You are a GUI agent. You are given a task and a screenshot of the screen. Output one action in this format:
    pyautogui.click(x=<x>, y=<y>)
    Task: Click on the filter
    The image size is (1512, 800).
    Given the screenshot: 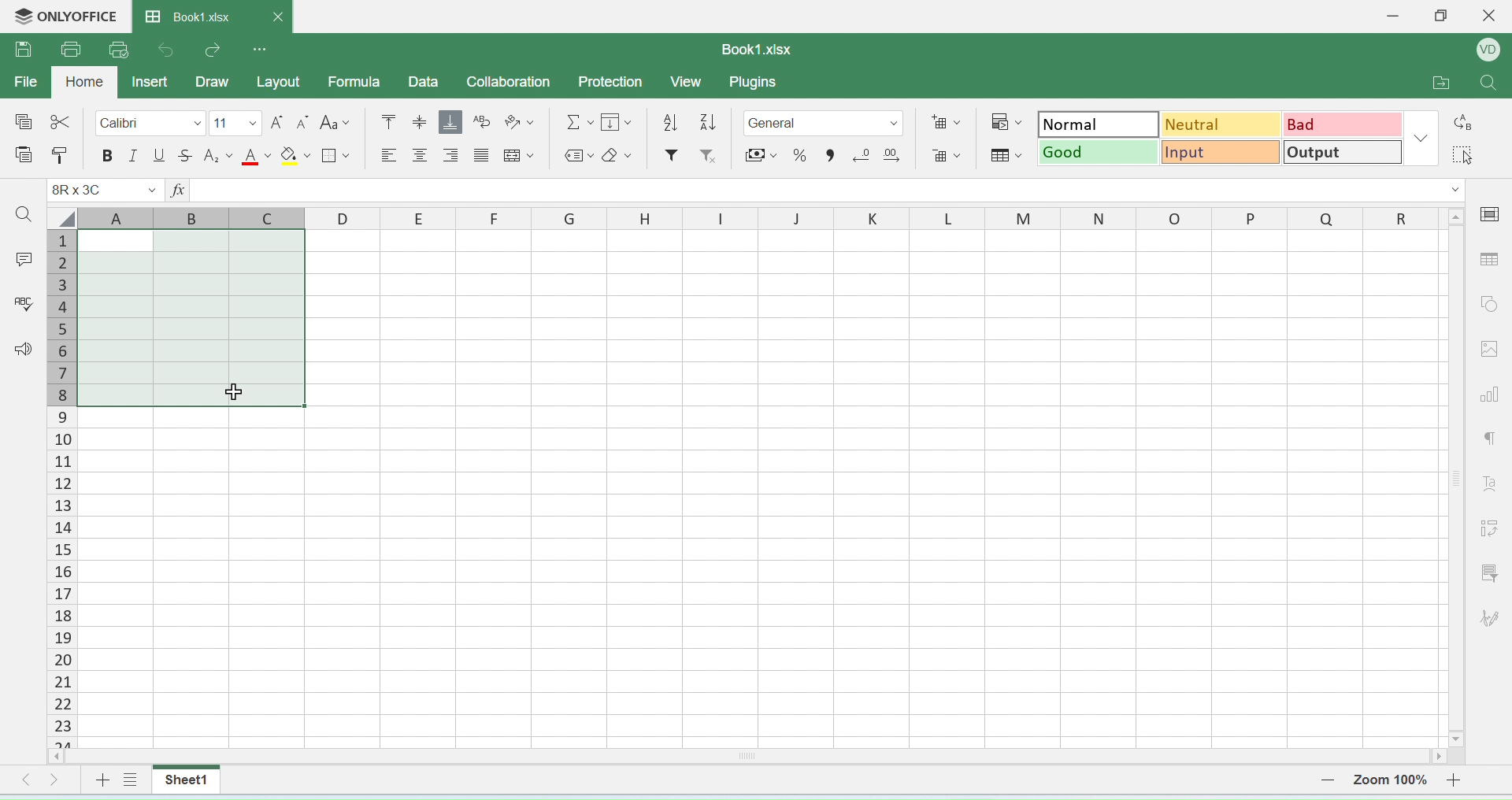 What is the action you would take?
    pyautogui.click(x=672, y=155)
    